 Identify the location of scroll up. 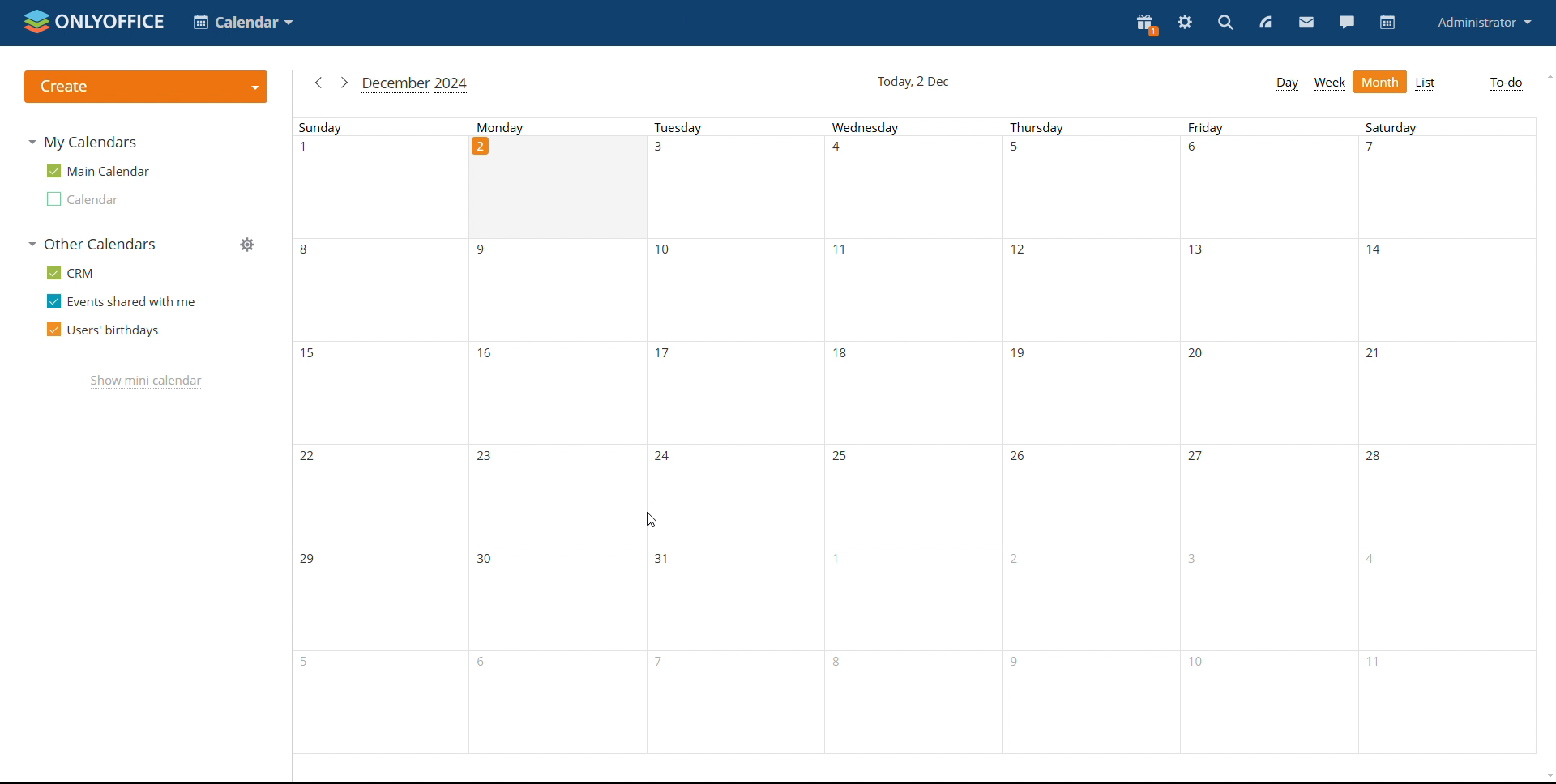
(1549, 76).